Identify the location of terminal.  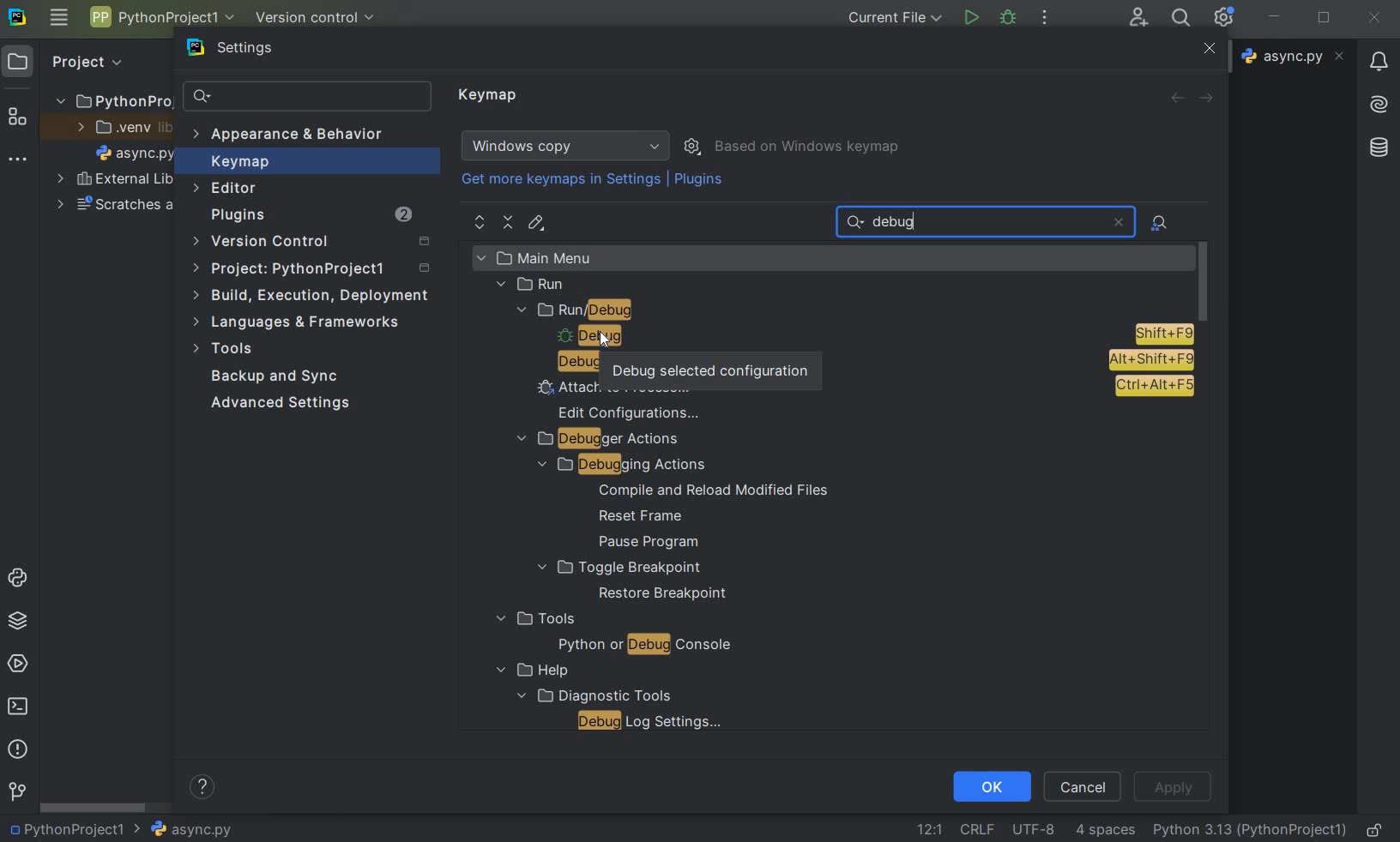
(20, 706).